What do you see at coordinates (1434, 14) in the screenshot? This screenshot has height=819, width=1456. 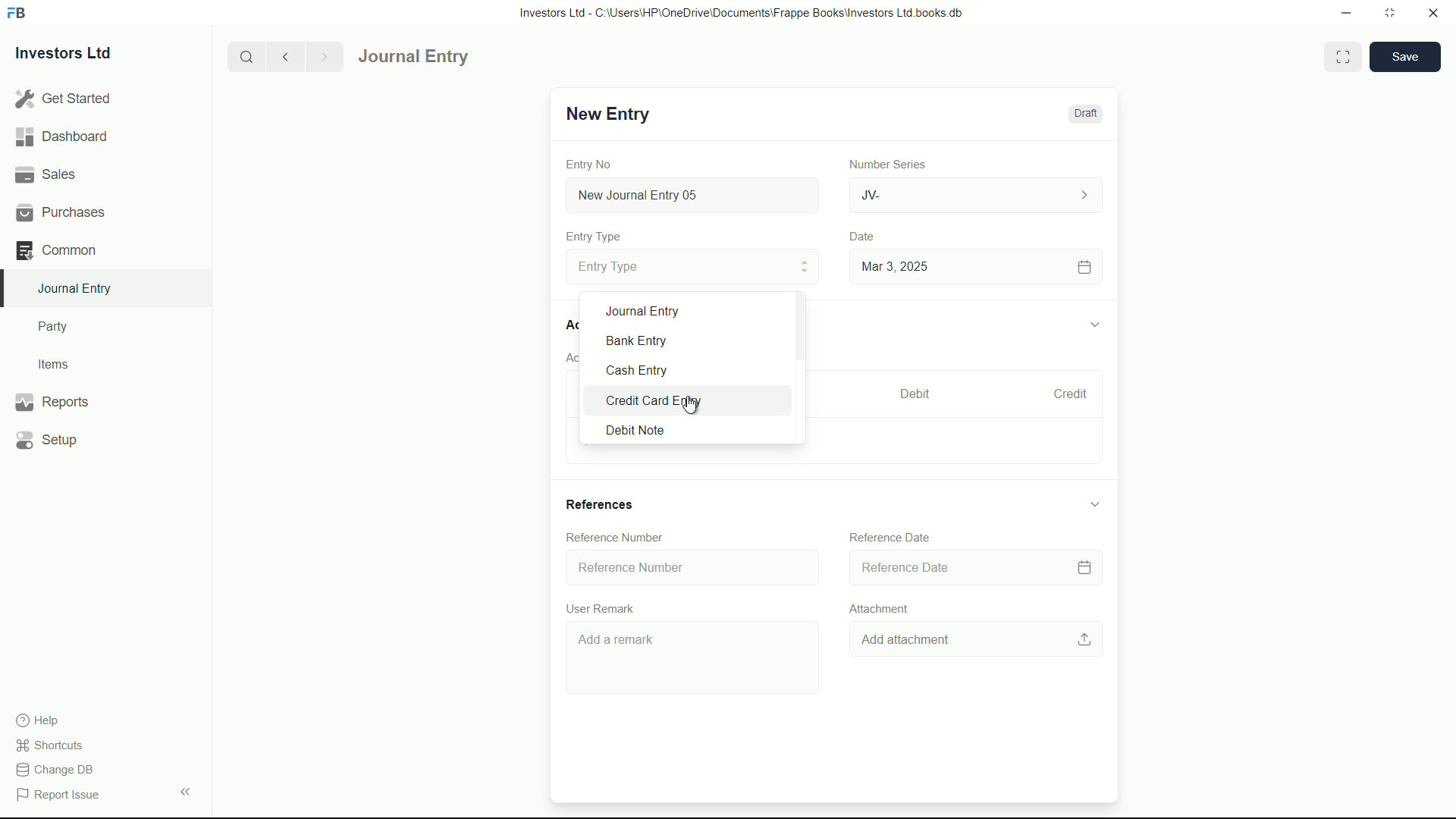 I see `close` at bounding box center [1434, 14].